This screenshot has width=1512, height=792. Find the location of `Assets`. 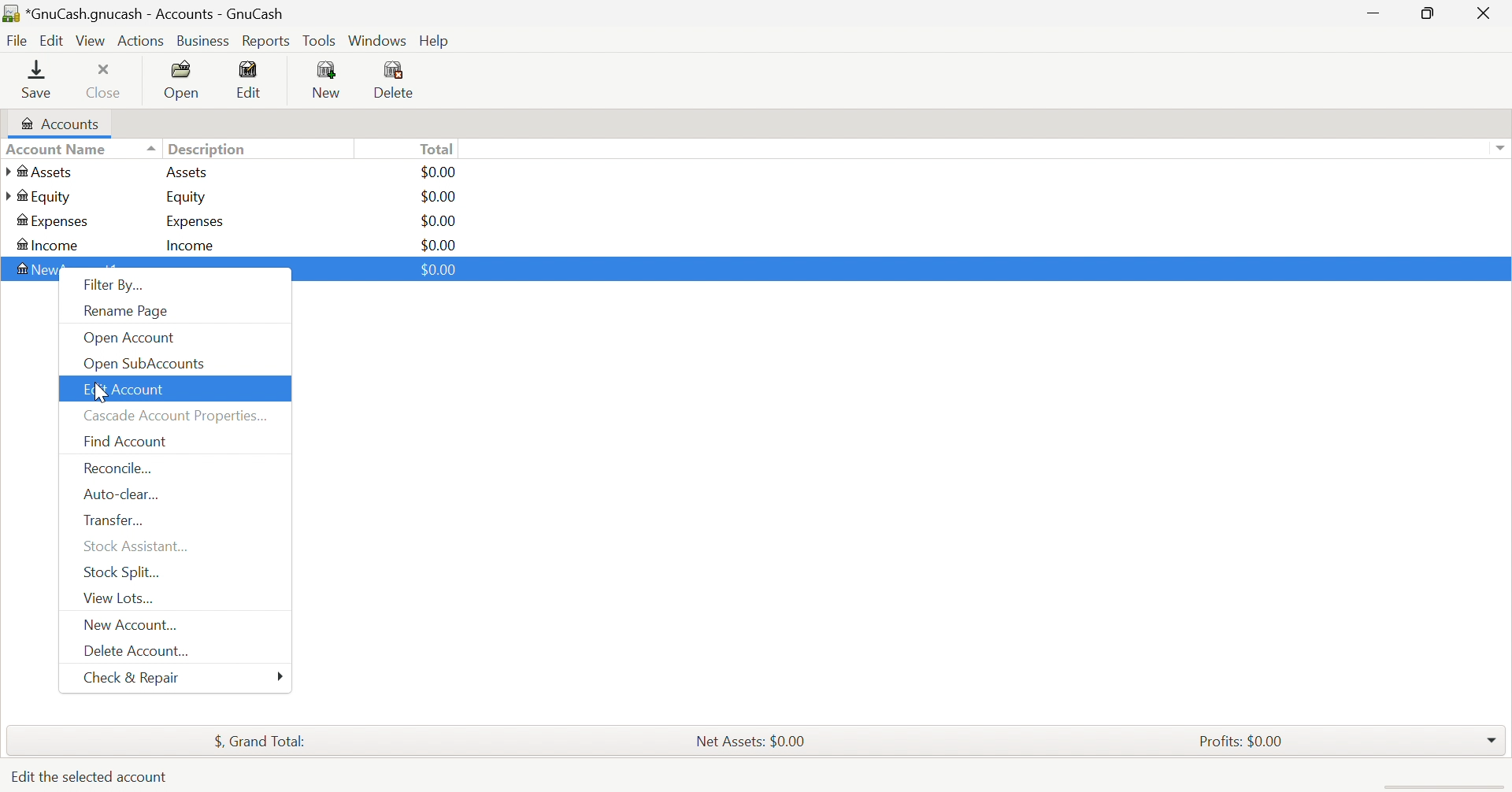

Assets is located at coordinates (43, 172).